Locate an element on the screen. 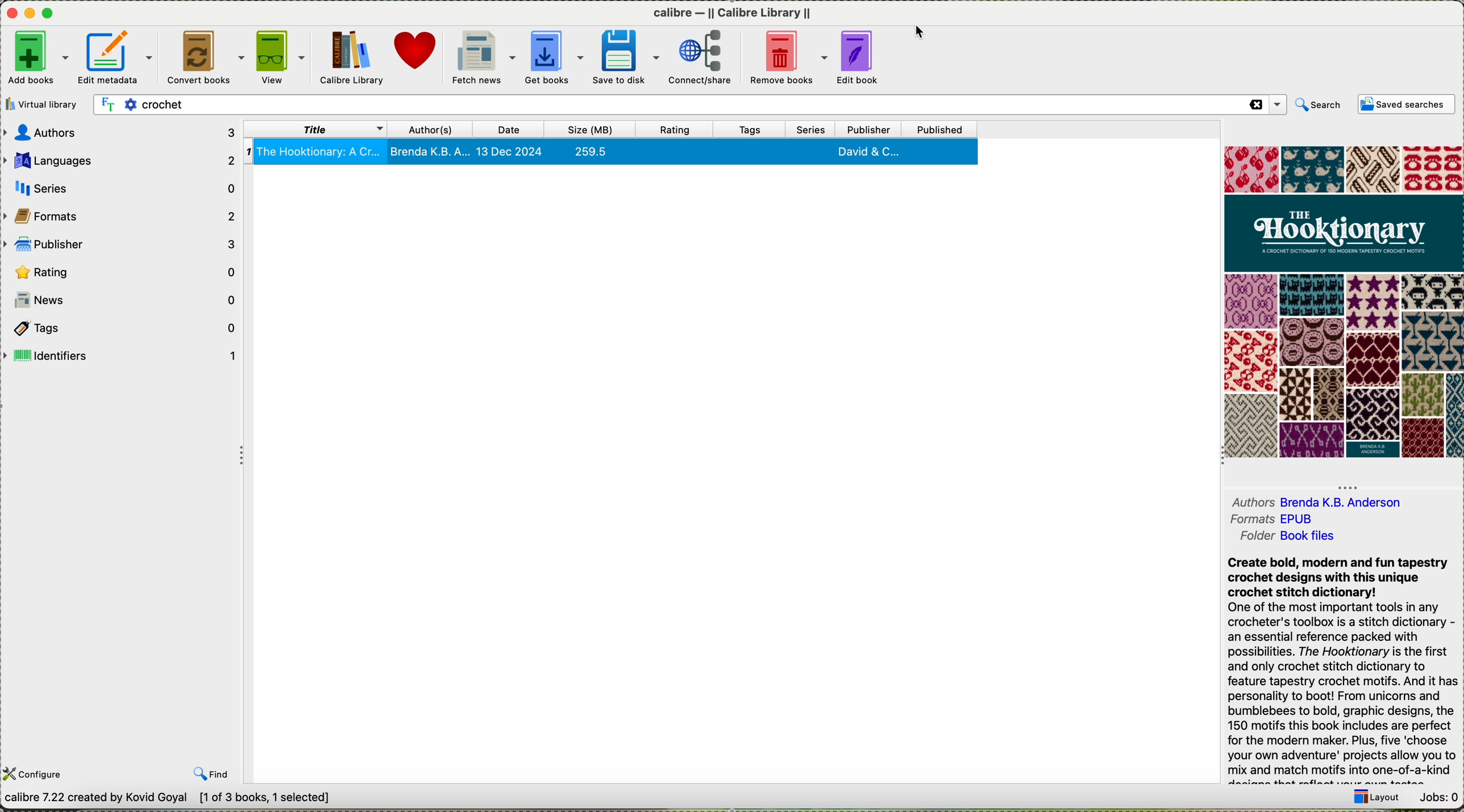 The width and height of the screenshot is (1464, 812). series is located at coordinates (814, 129).